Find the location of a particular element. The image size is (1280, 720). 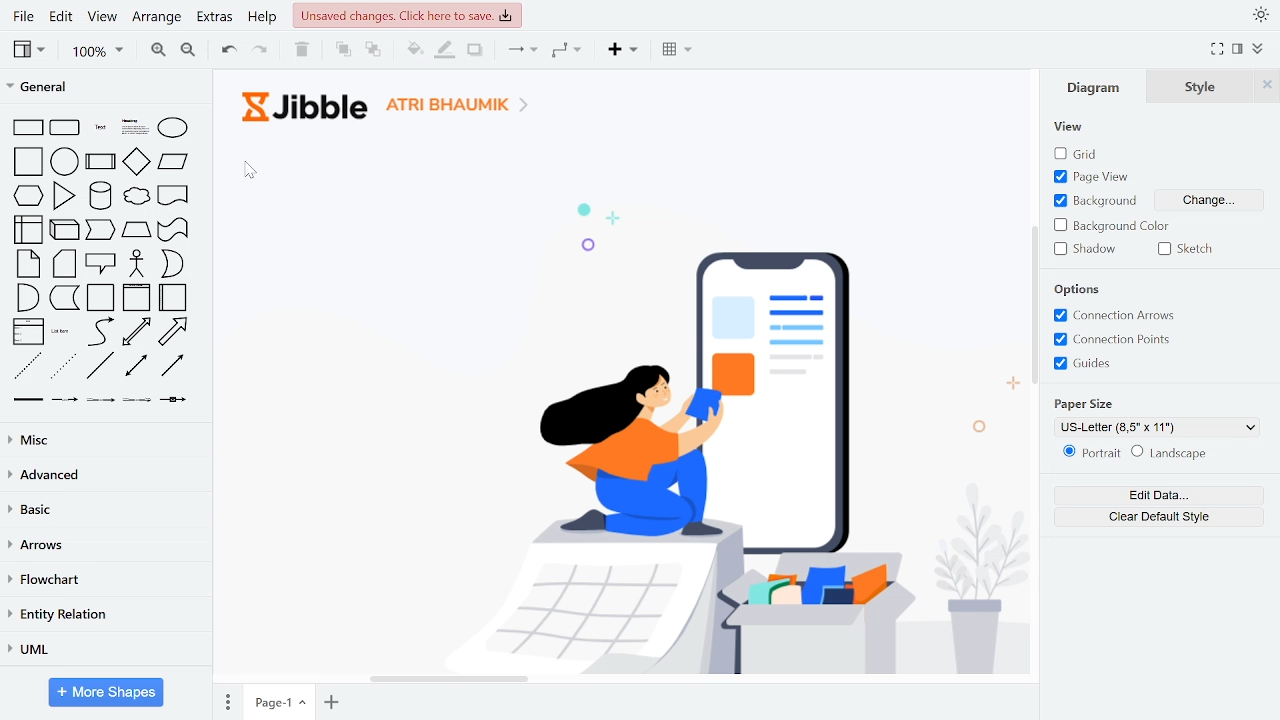

general shapes is located at coordinates (29, 296).